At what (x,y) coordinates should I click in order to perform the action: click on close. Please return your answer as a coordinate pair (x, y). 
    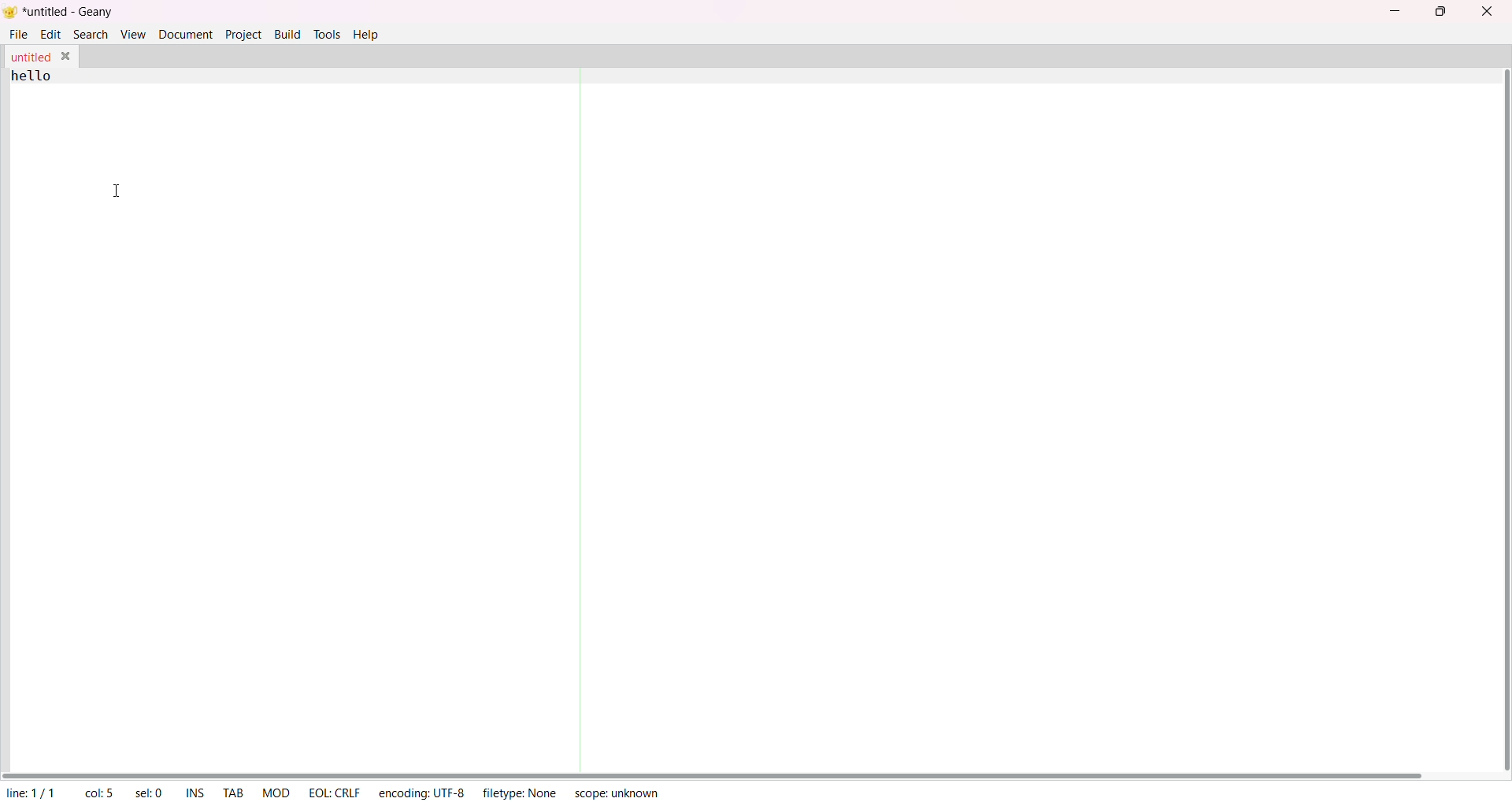
    Looking at the image, I should click on (1488, 14).